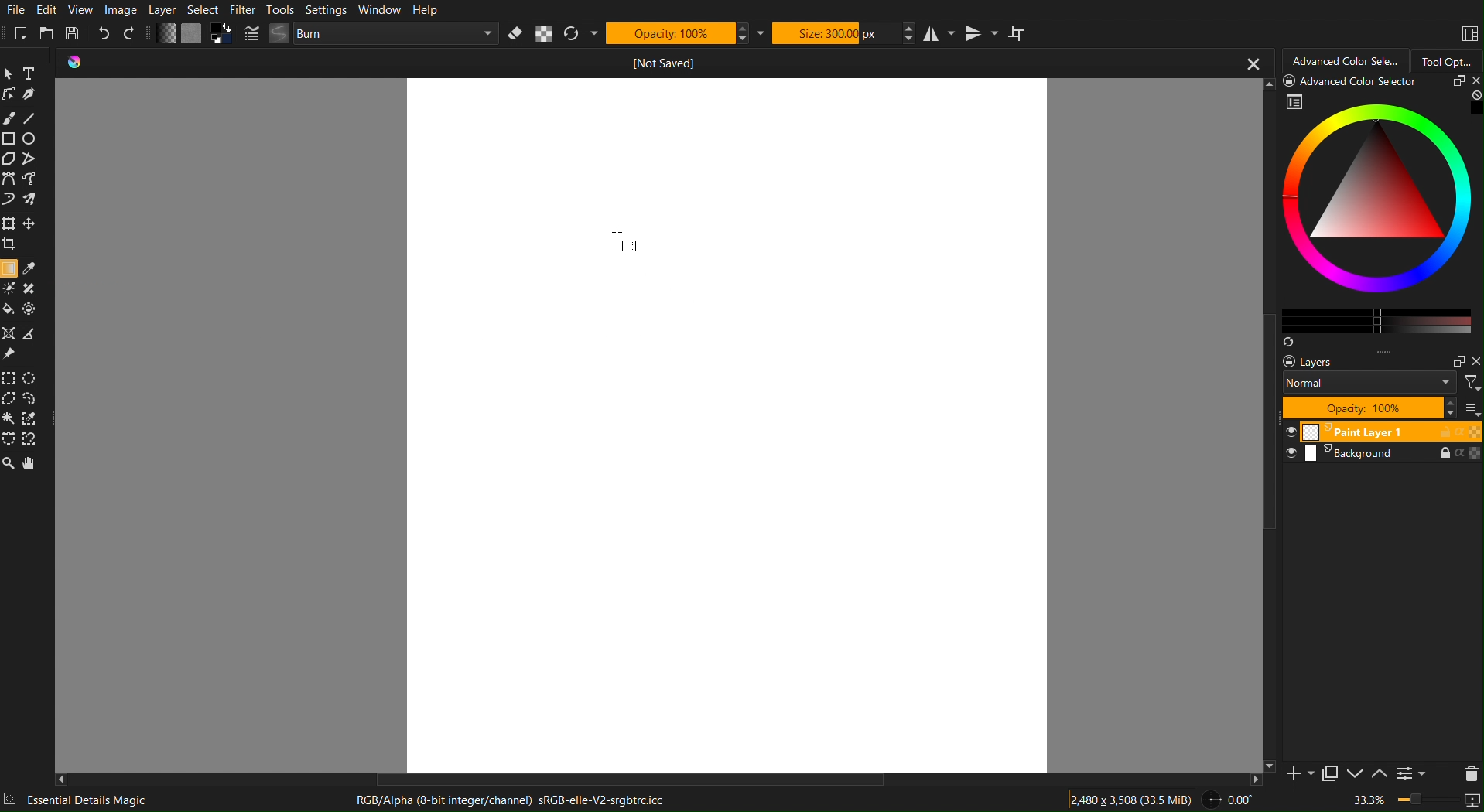 The image size is (1484, 812). What do you see at coordinates (10, 94) in the screenshot?
I see `Linework` at bounding box center [10, 94].